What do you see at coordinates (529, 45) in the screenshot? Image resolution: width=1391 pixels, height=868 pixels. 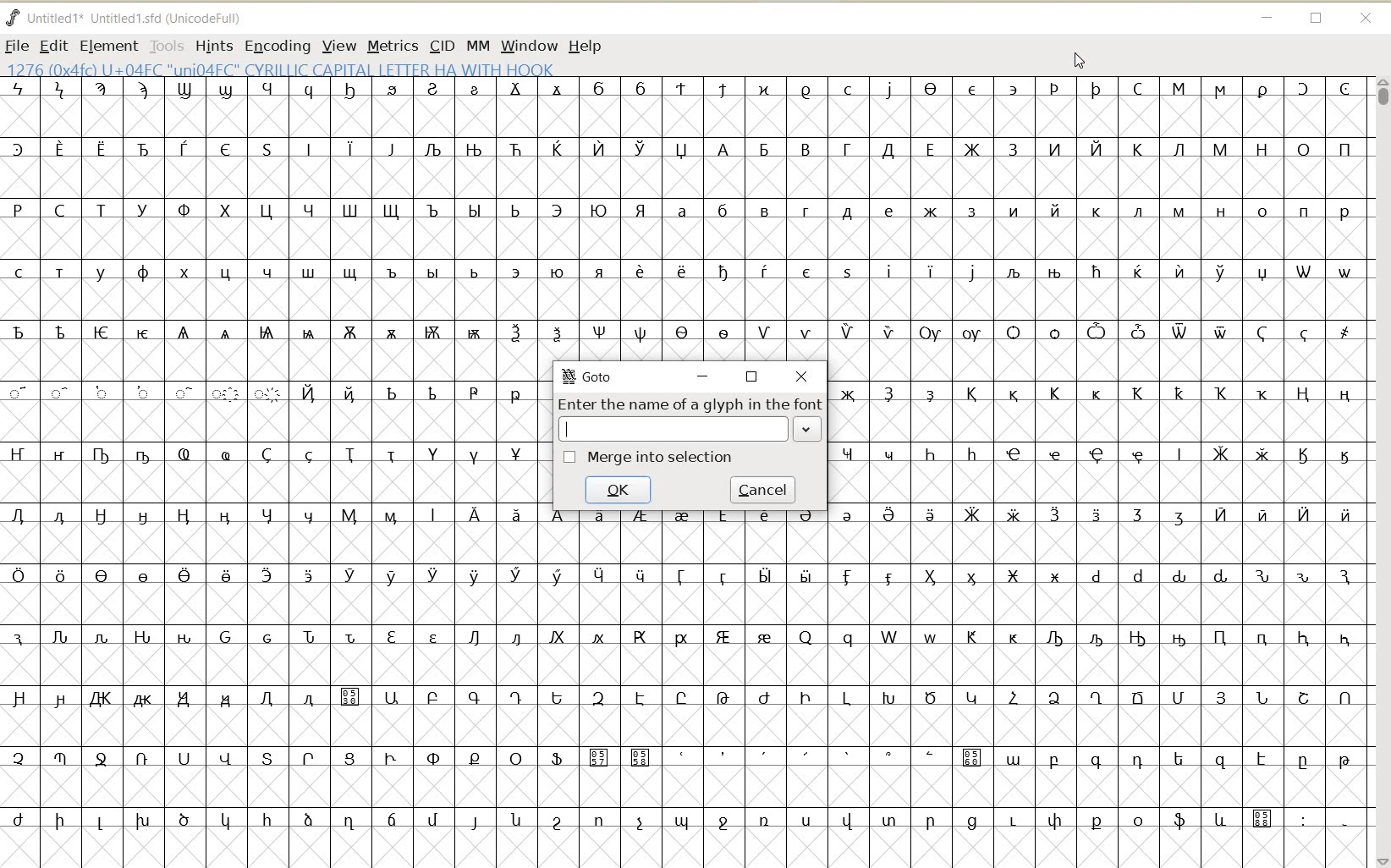 I see `WINDOW` at bounding box center [529, 45].